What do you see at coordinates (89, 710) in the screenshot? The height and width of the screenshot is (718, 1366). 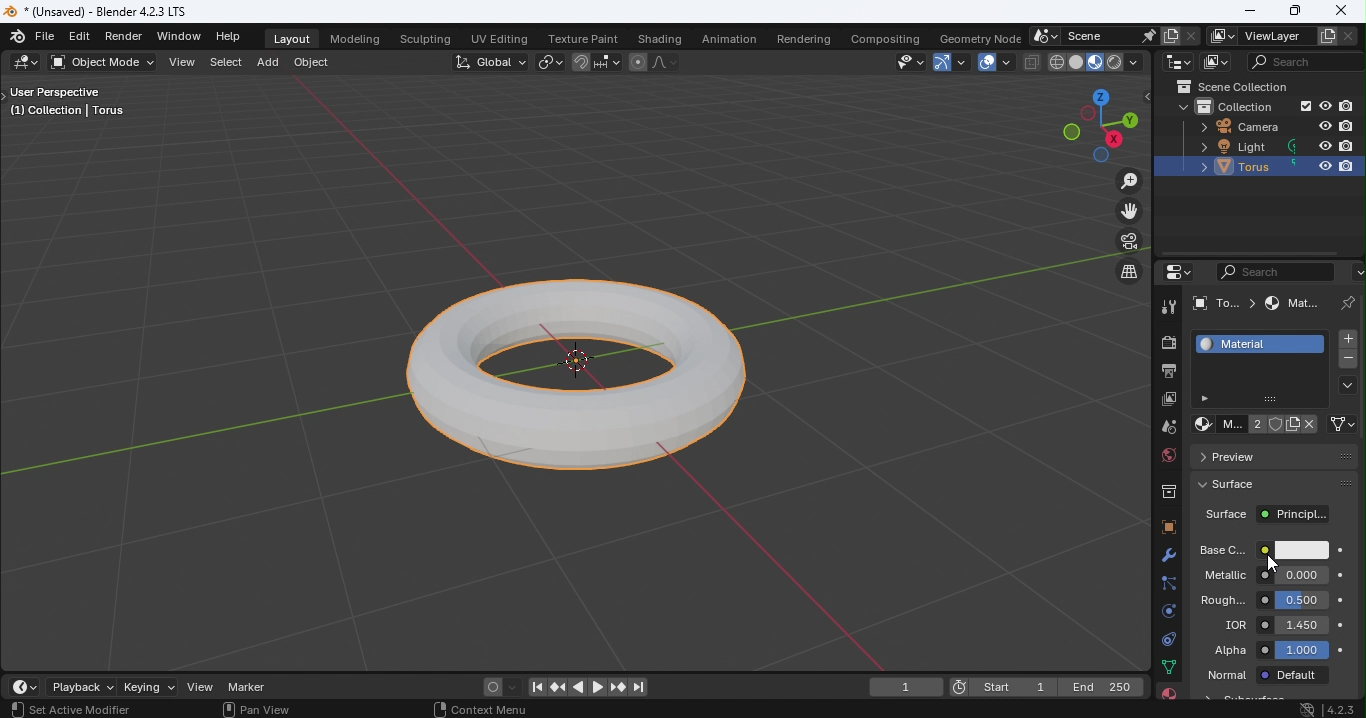 I see `Active modifier` at bounding box center [89, 710].